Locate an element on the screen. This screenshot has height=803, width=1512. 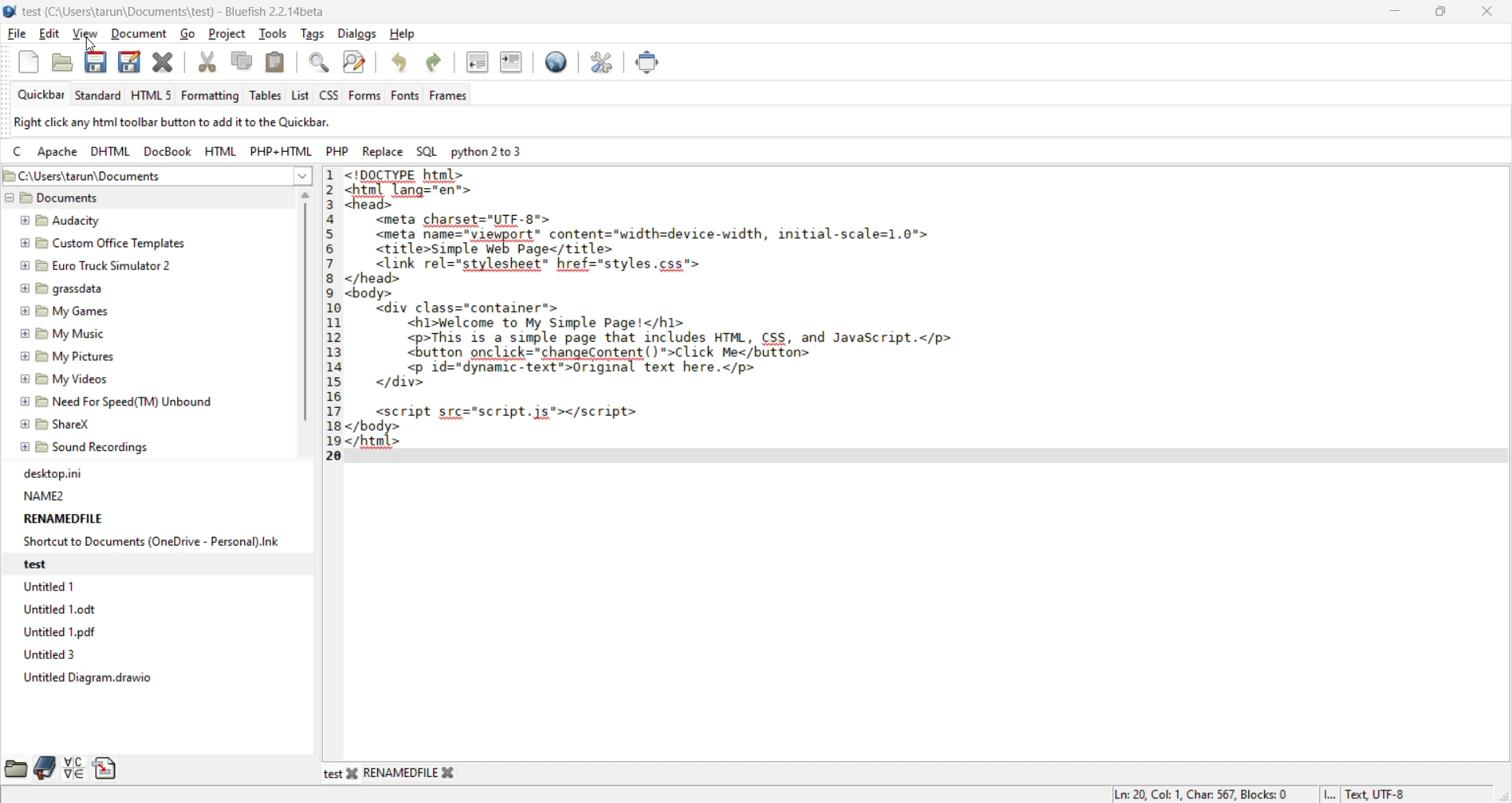
dropdown is located at coordinates (302, 176).